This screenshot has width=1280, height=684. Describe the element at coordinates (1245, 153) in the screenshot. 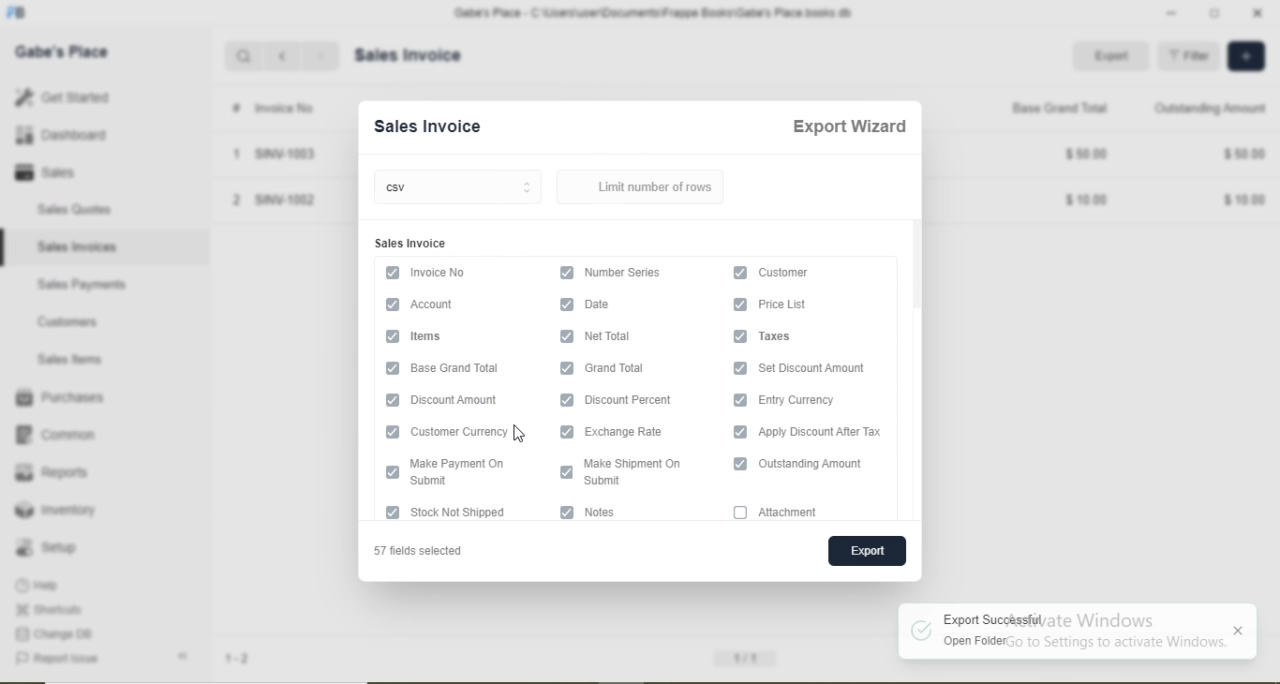

I see `$5000` at that location.